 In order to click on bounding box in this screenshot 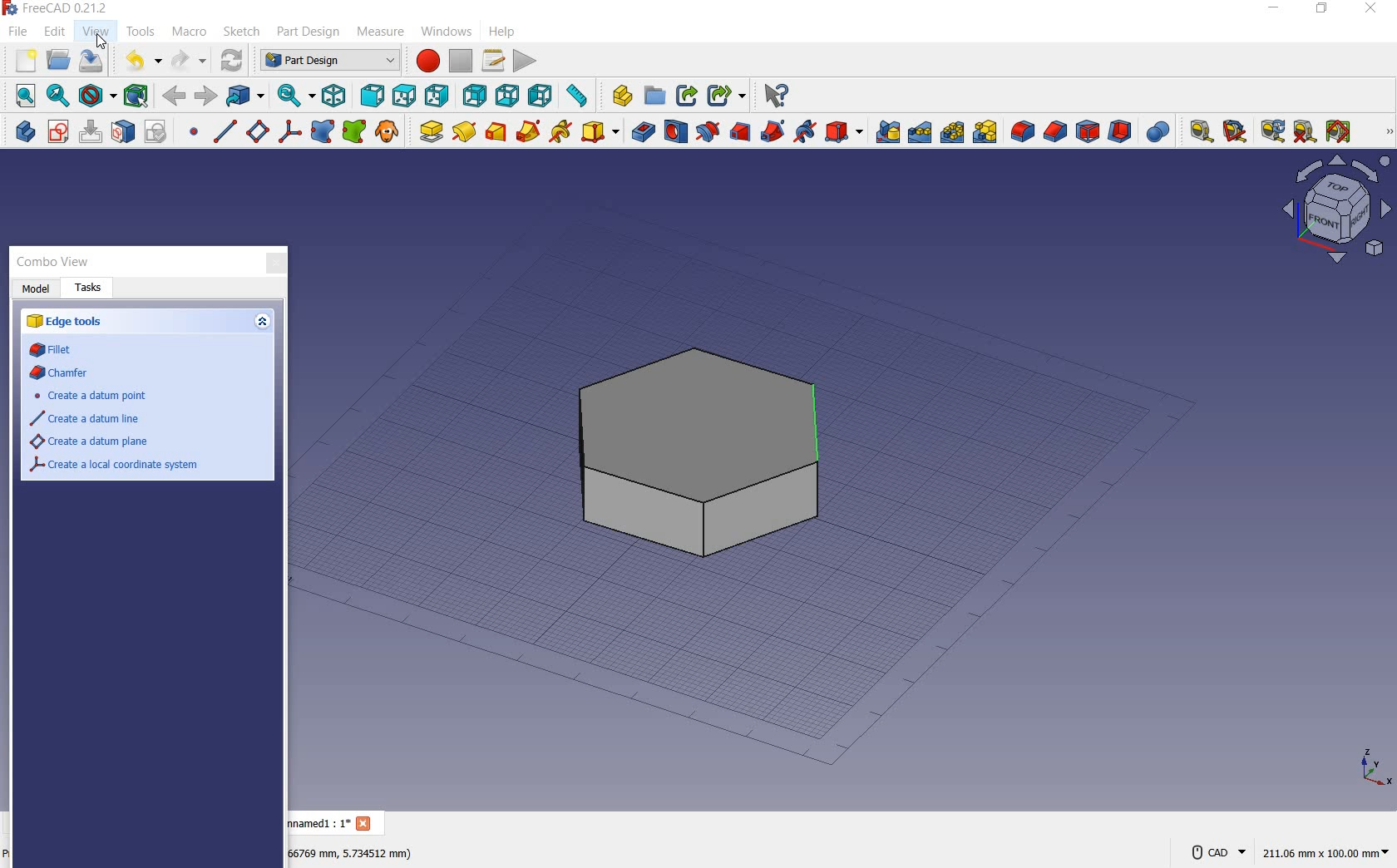, I will do `click(136, 96)`.